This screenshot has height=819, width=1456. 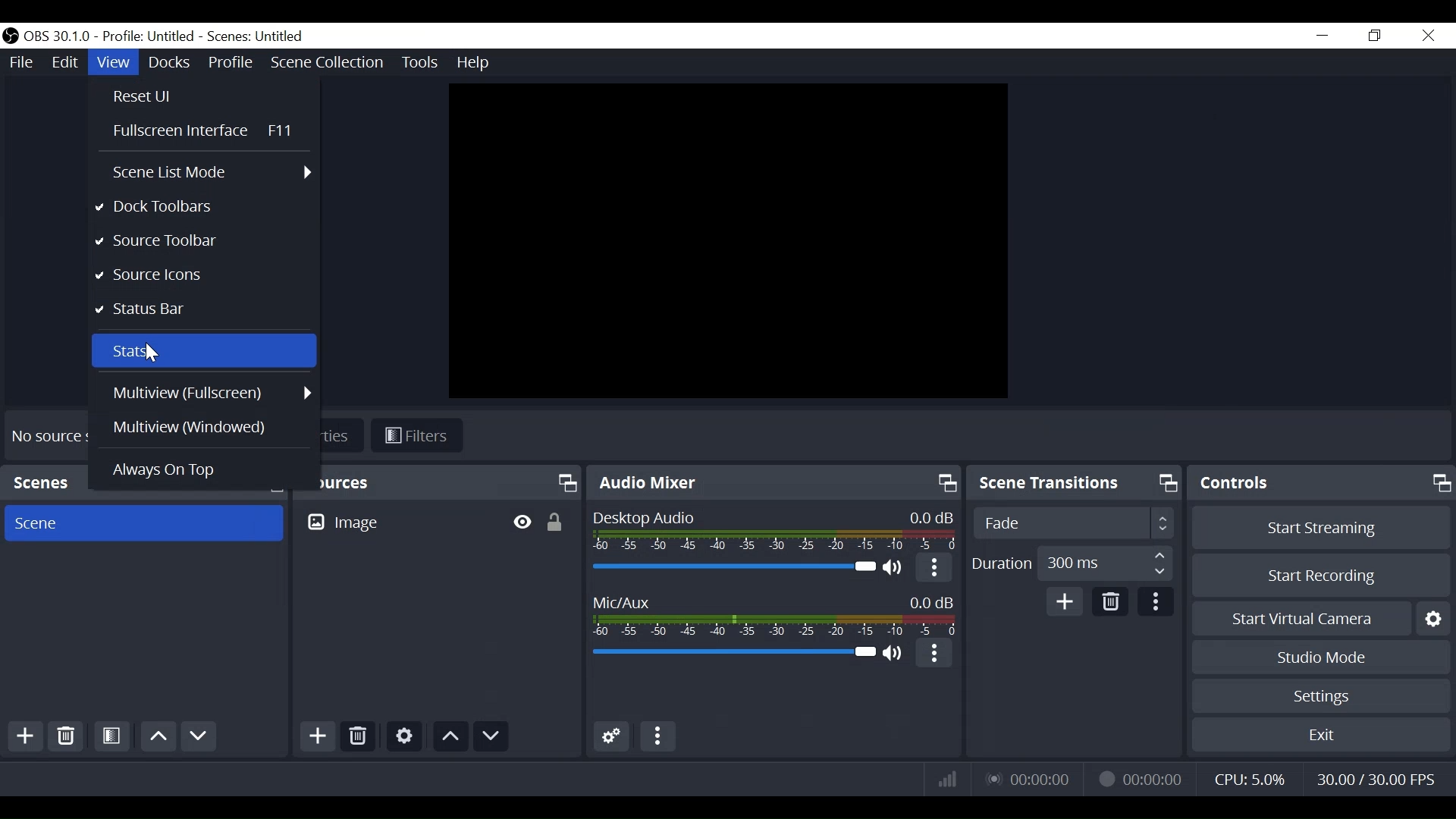 I want to click on move up, so click(x=450, y=736).